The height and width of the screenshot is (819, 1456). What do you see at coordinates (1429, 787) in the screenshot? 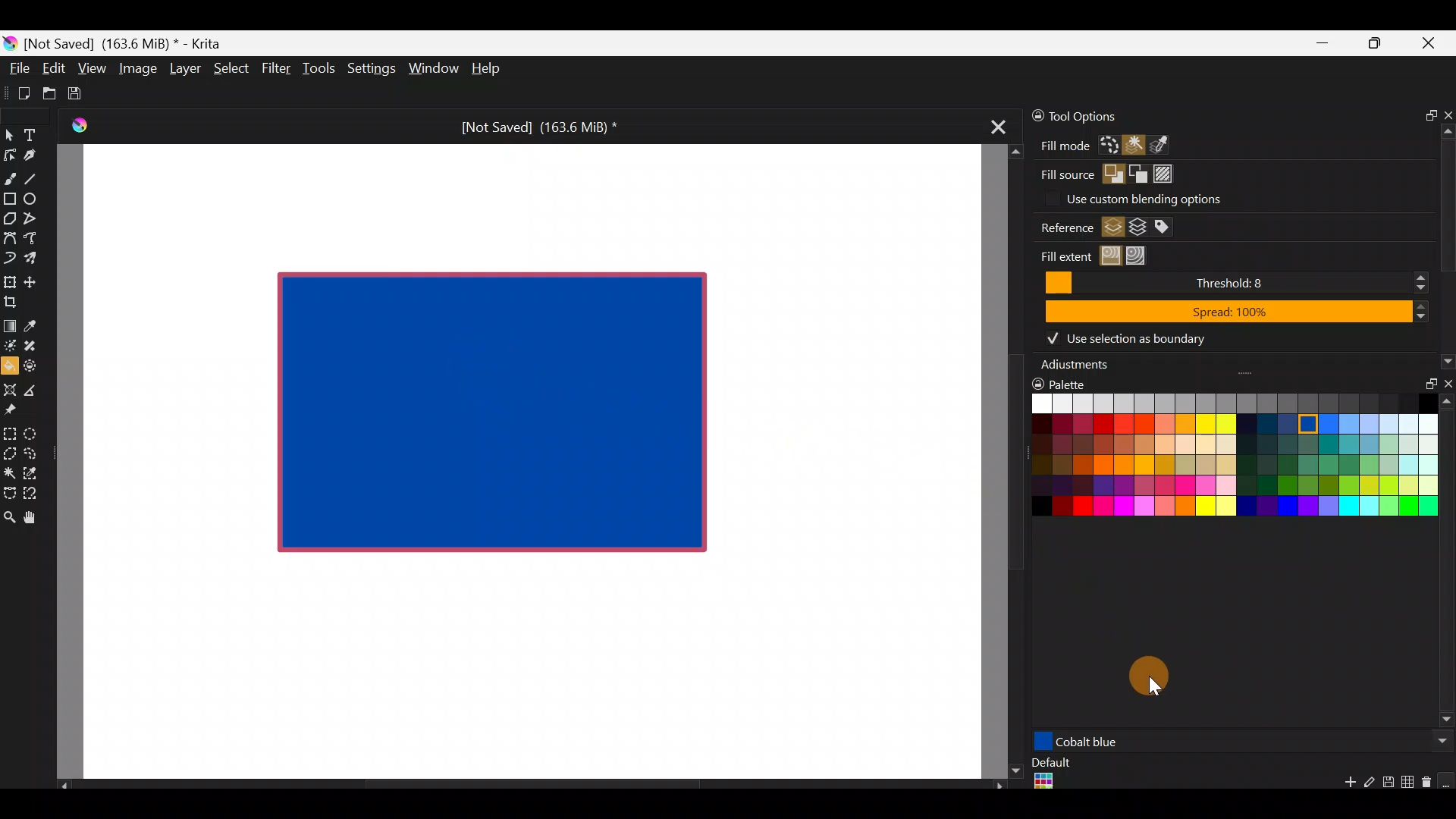
I see `Remove swatch/group` at bounding box center [1429, 787].